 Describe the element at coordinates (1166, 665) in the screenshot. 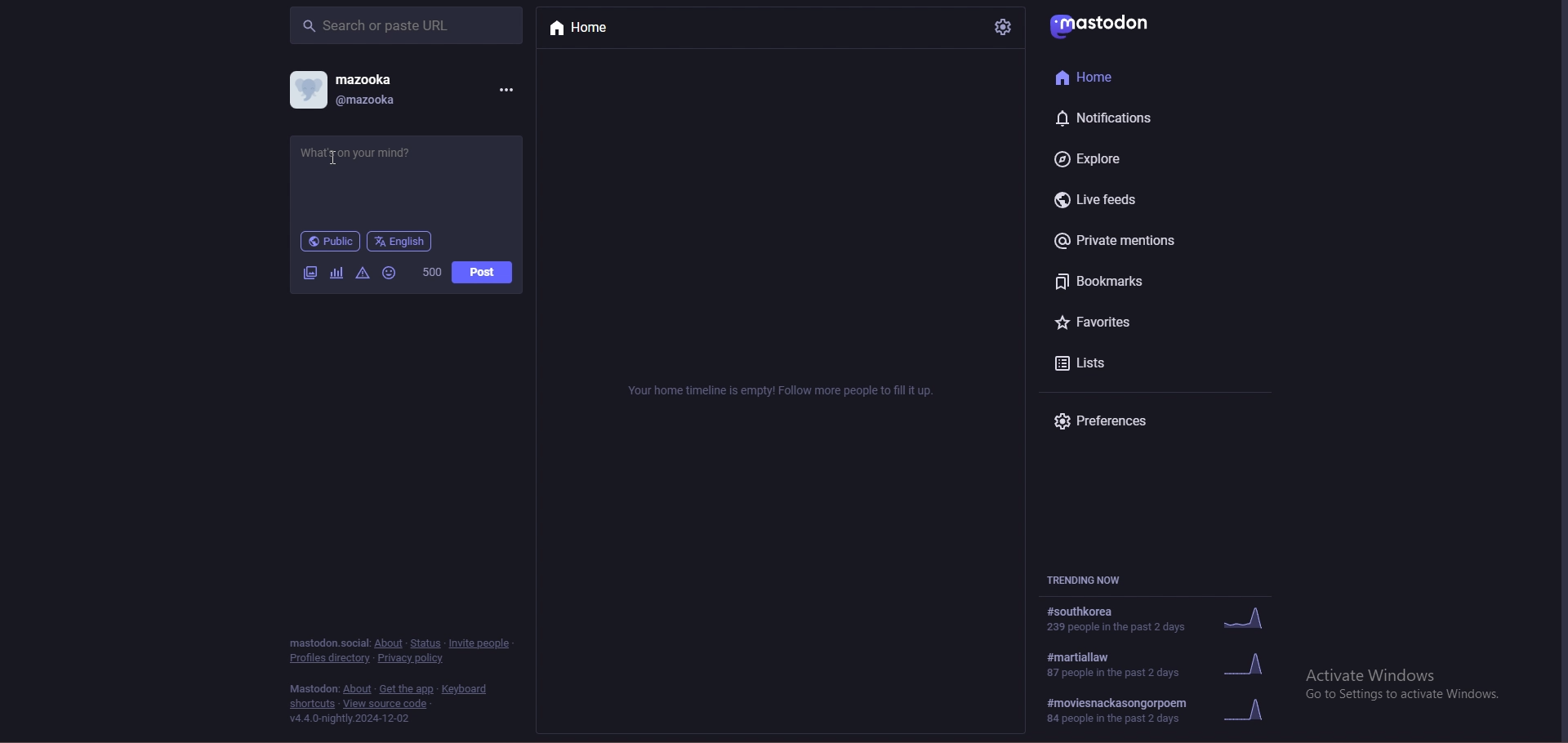

I see `trend` at that location.